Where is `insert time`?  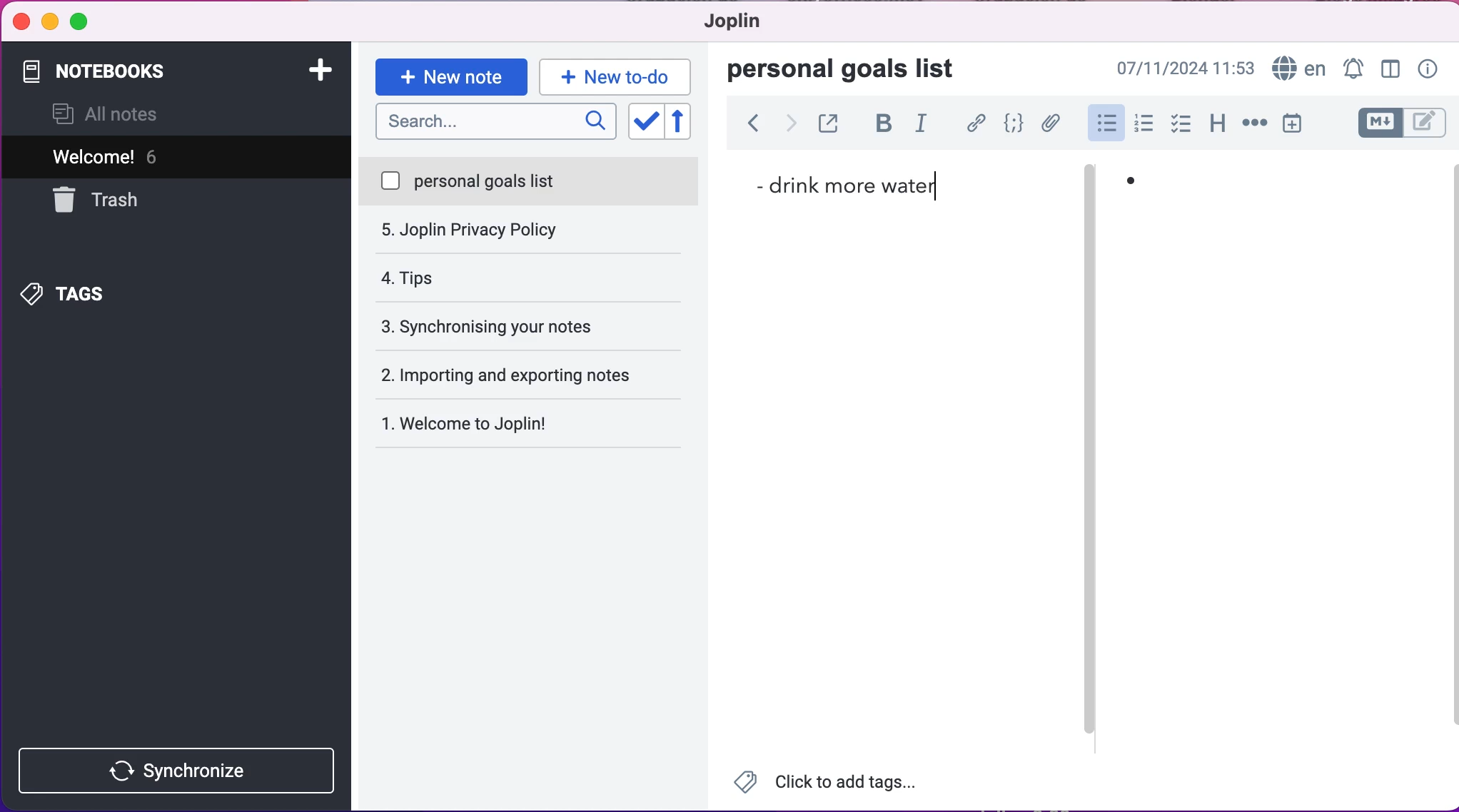 insert time is located at coordinates (1298, 126).